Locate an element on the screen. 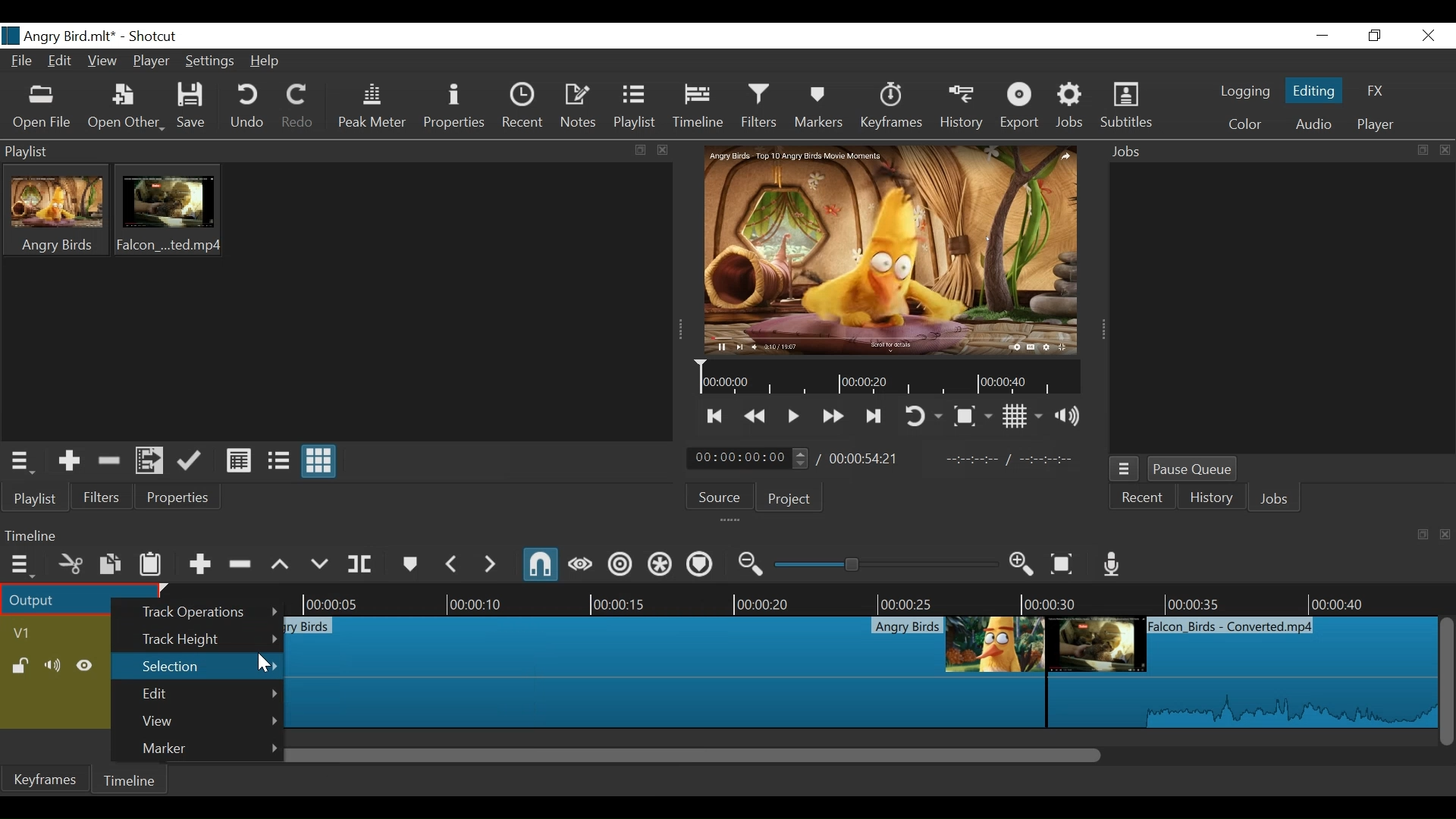 The width and height of the screenshot is (1456, 819). Cut is located at coordinates (70, 564).